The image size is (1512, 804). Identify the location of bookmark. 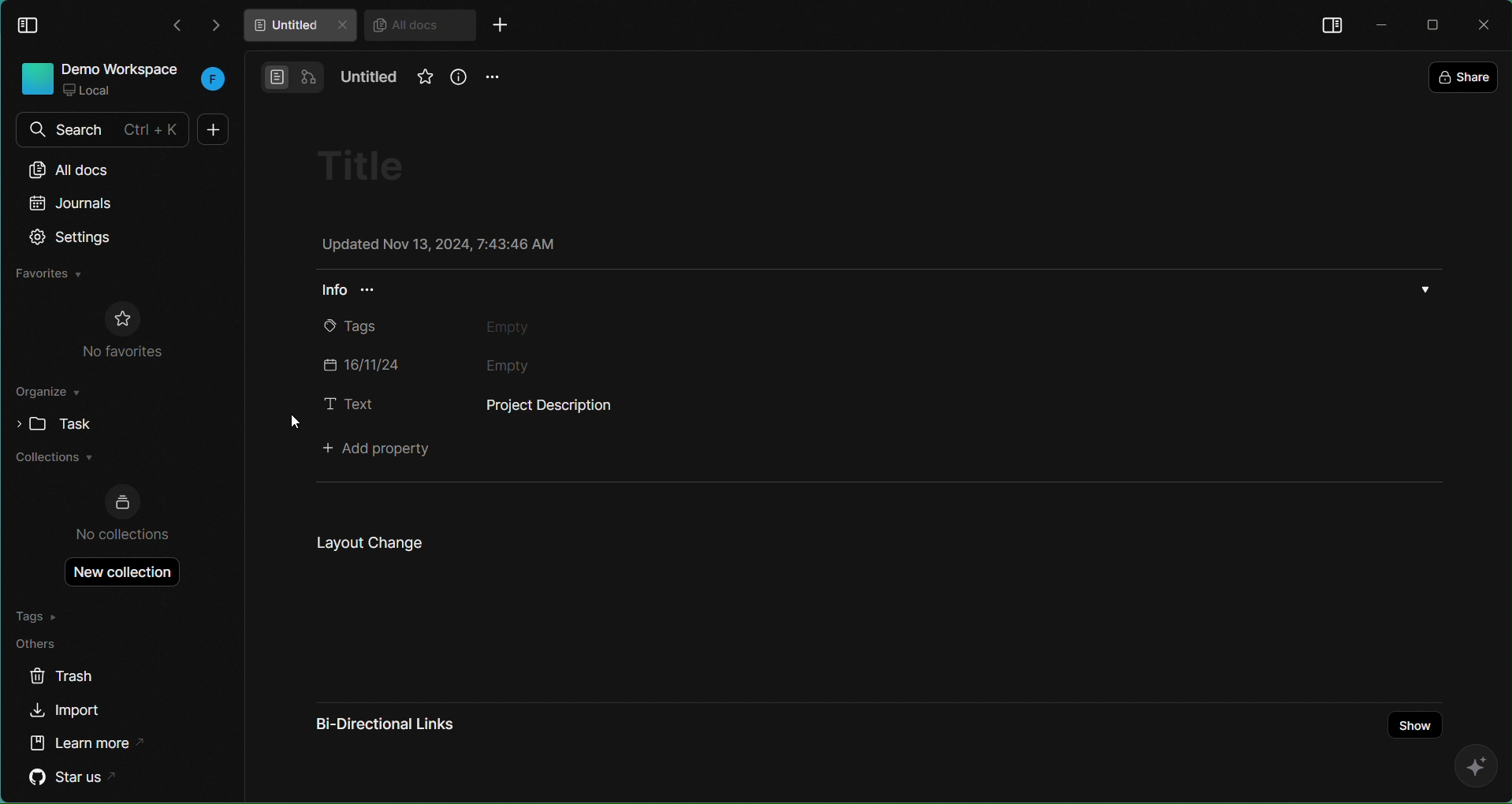
(419, 83).